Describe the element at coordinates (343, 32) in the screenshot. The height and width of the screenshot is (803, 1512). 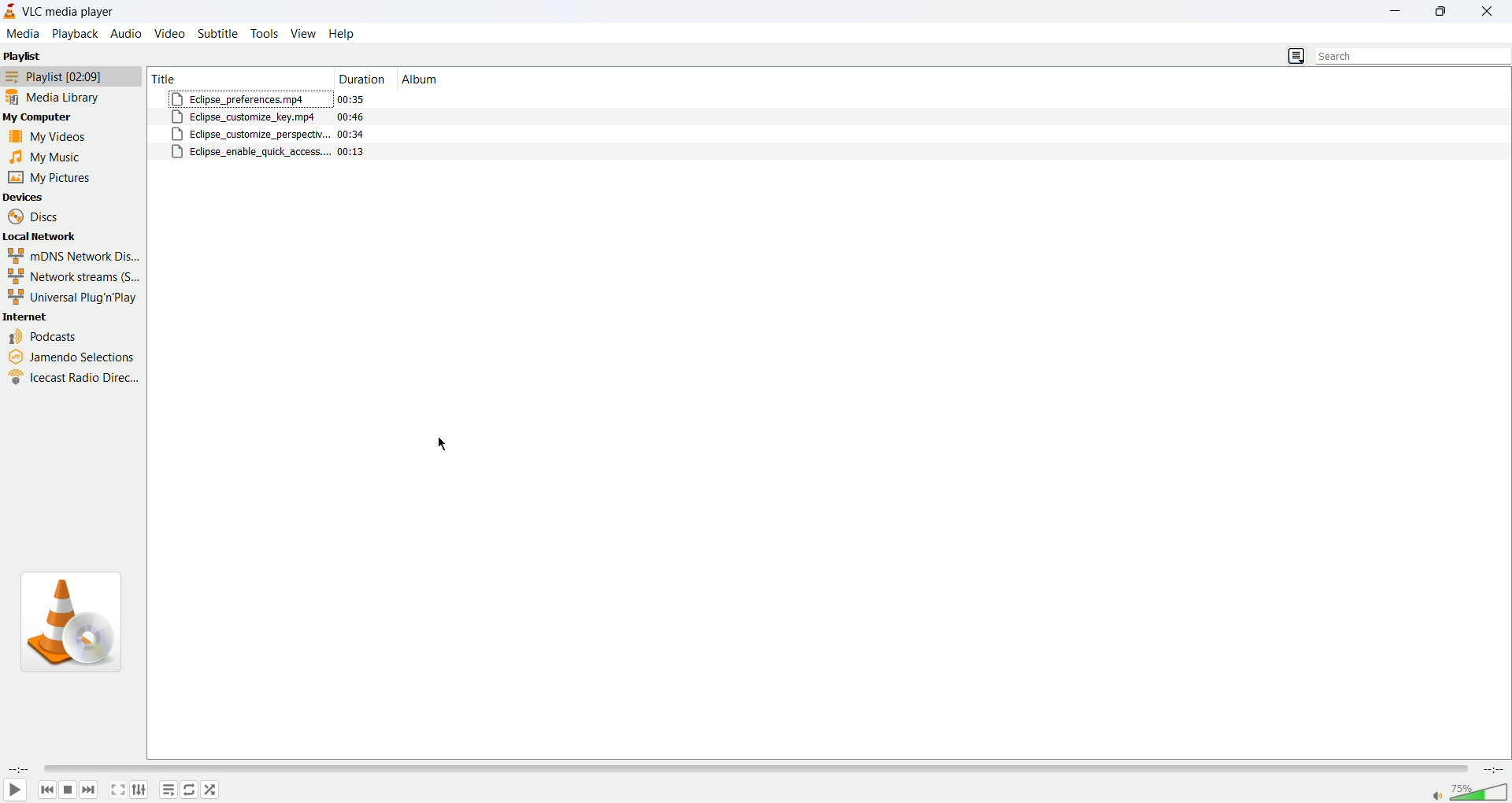
I see `help` at that location.